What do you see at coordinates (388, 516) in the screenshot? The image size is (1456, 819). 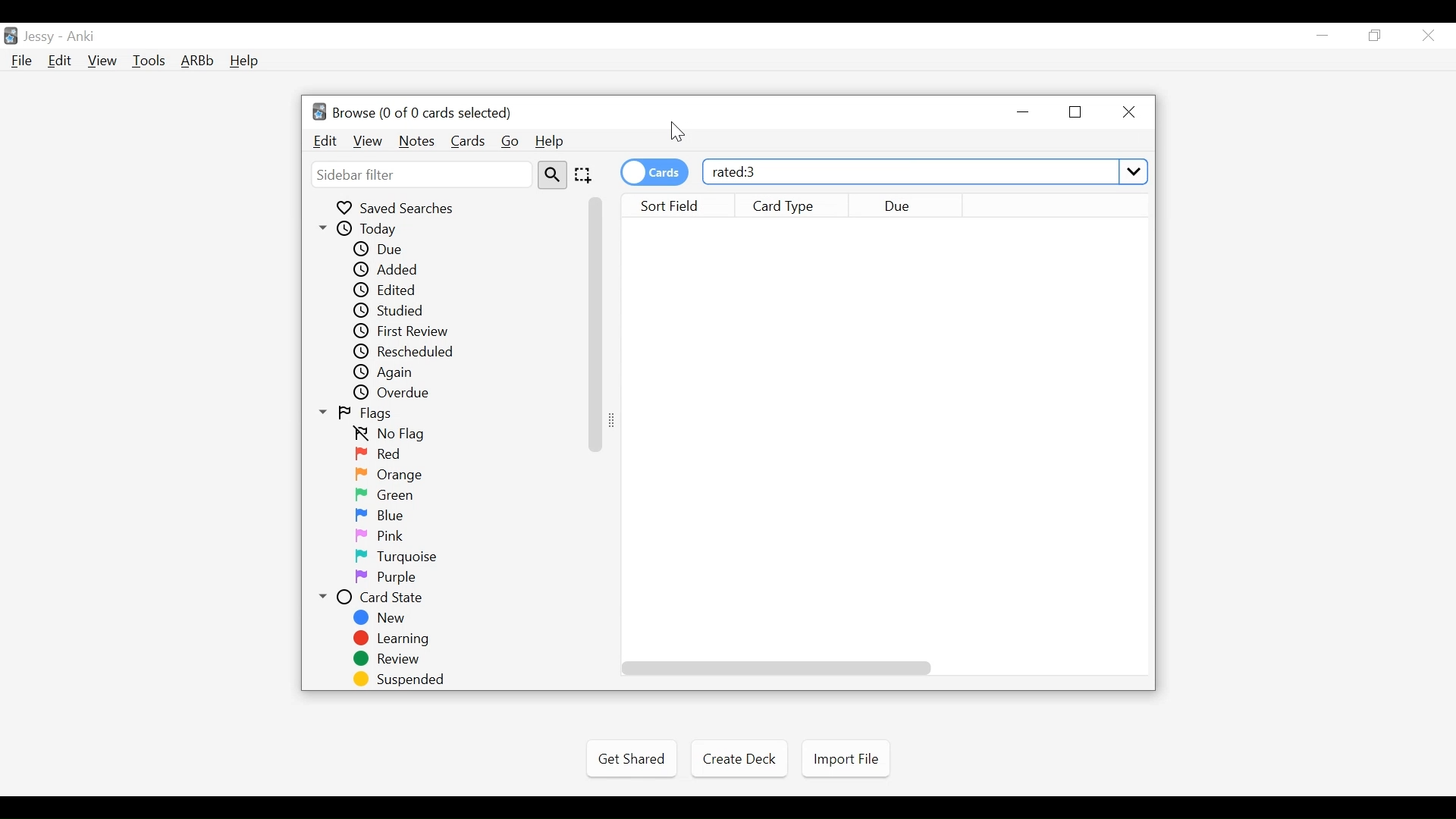 I see `Blue` at bounding box center [388, 516].